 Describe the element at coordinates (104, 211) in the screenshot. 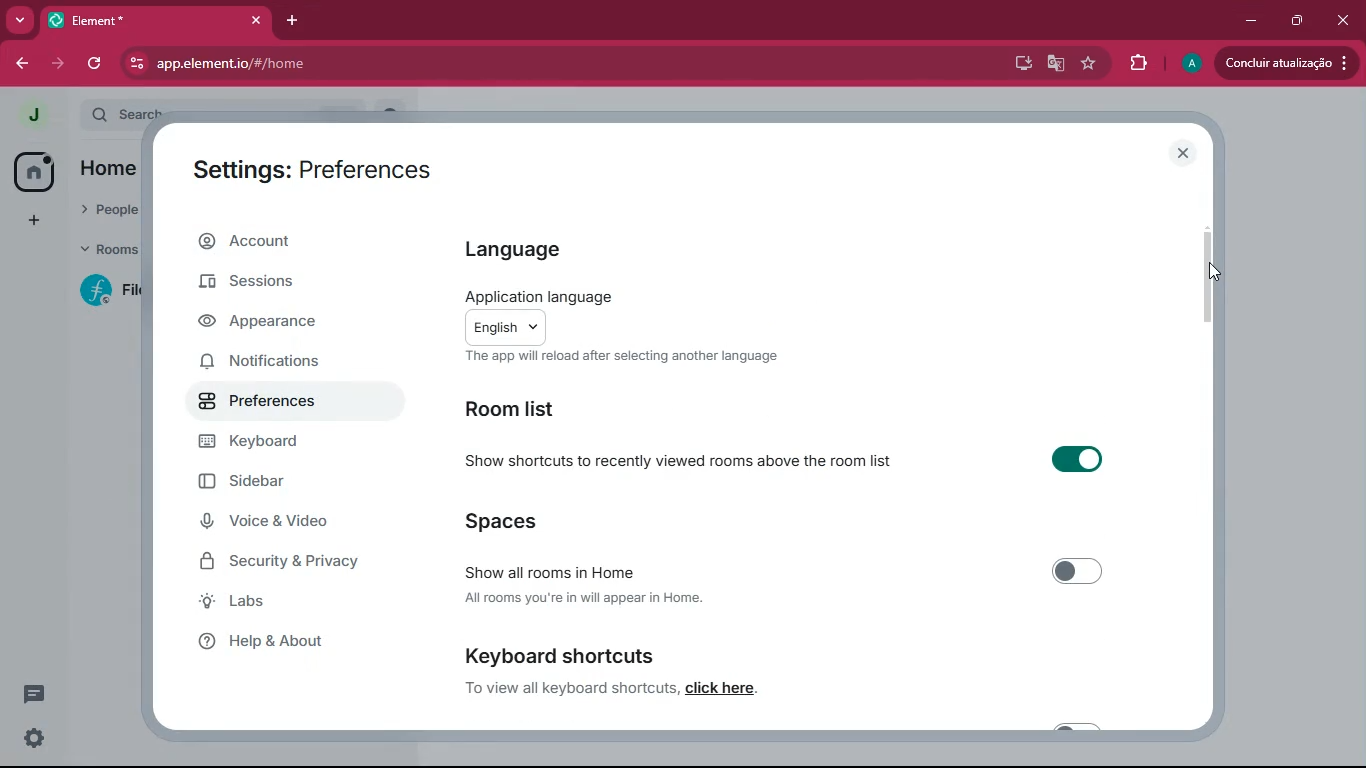

I see `people` at that location.